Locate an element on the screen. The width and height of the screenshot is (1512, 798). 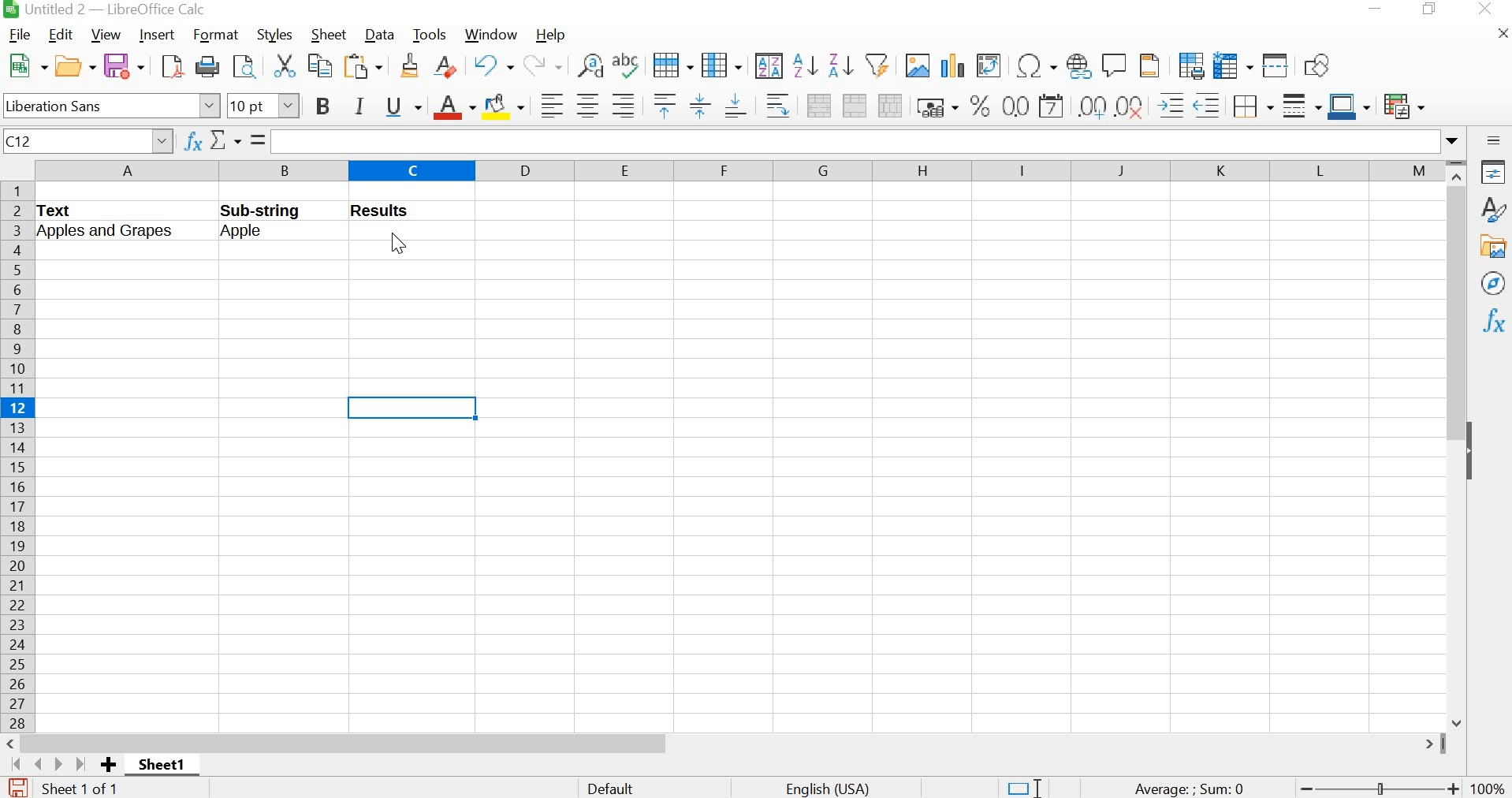
freeze rows and columns is located at coordinates (1232, 64).